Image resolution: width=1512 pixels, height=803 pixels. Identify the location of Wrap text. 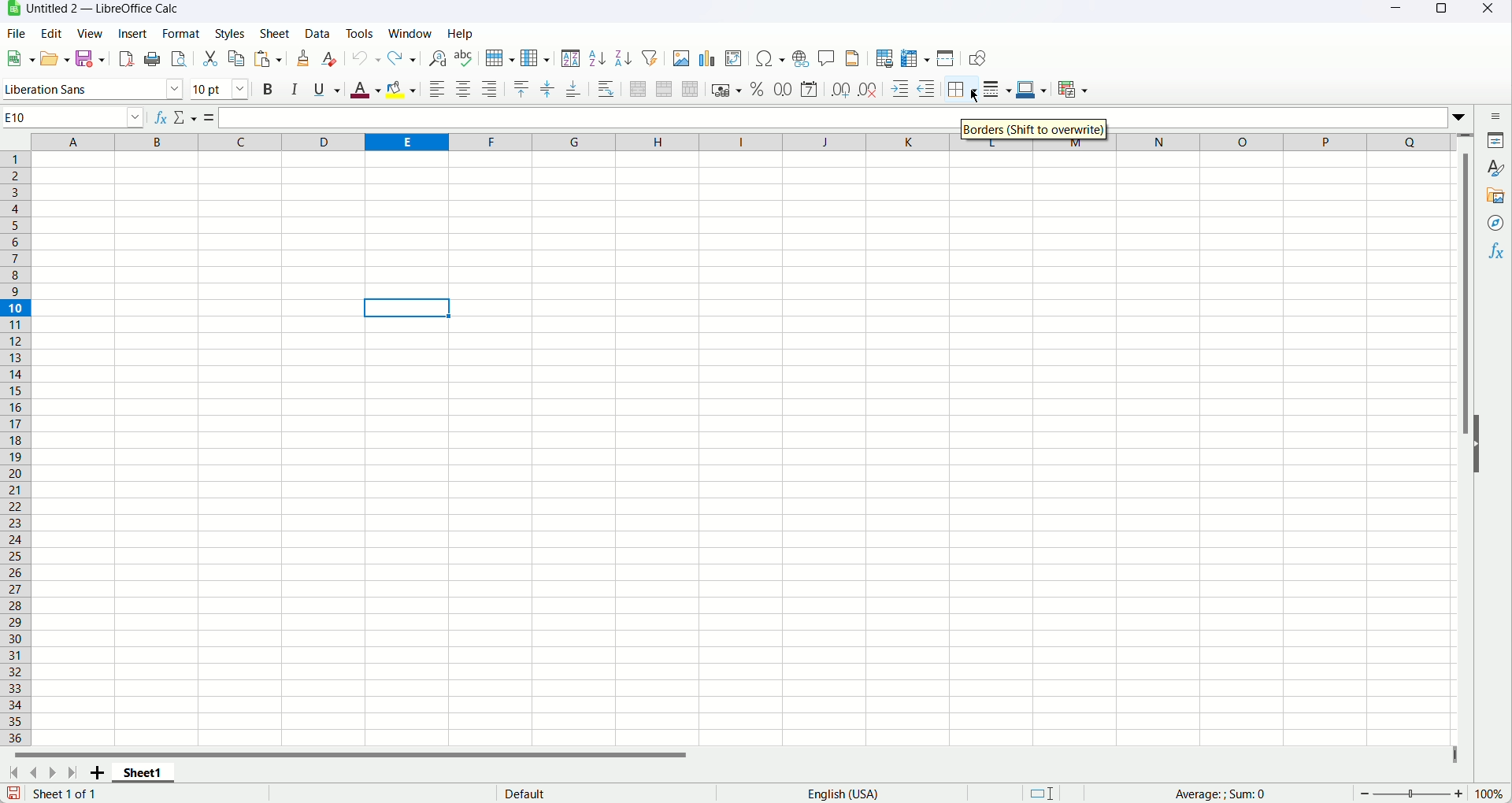
(606, 88).